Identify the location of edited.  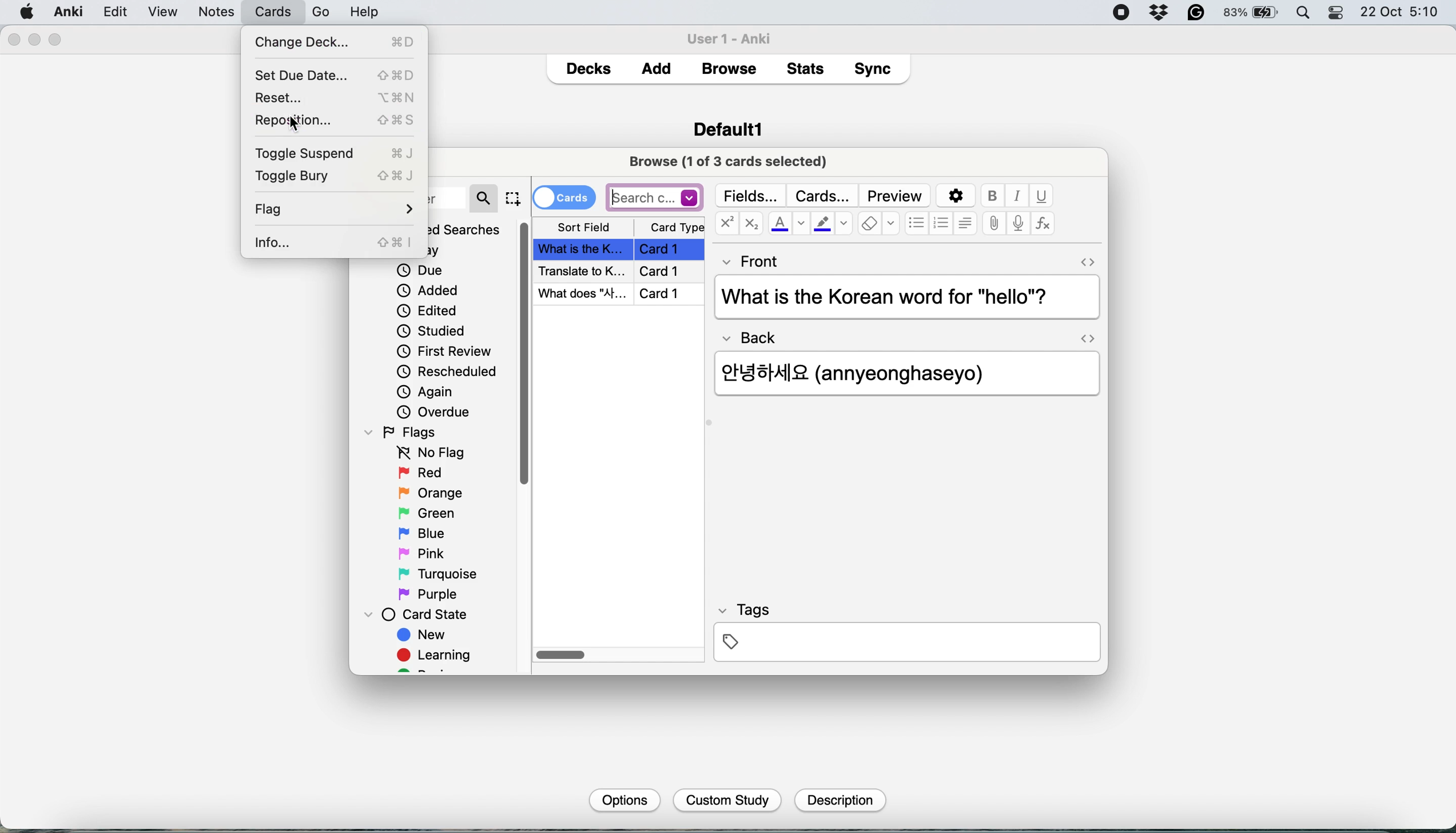
(428, 311).